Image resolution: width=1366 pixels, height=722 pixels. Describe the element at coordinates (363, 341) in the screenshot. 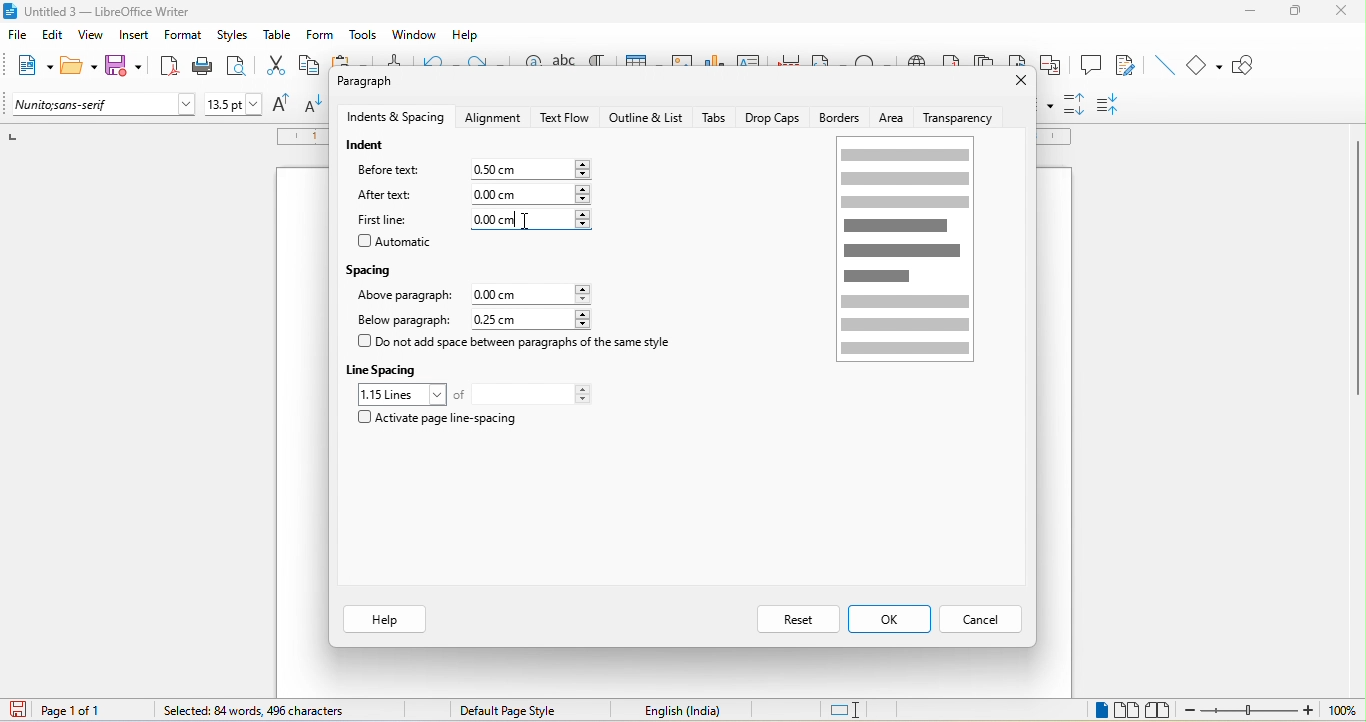

I see `checkbox` at that location.